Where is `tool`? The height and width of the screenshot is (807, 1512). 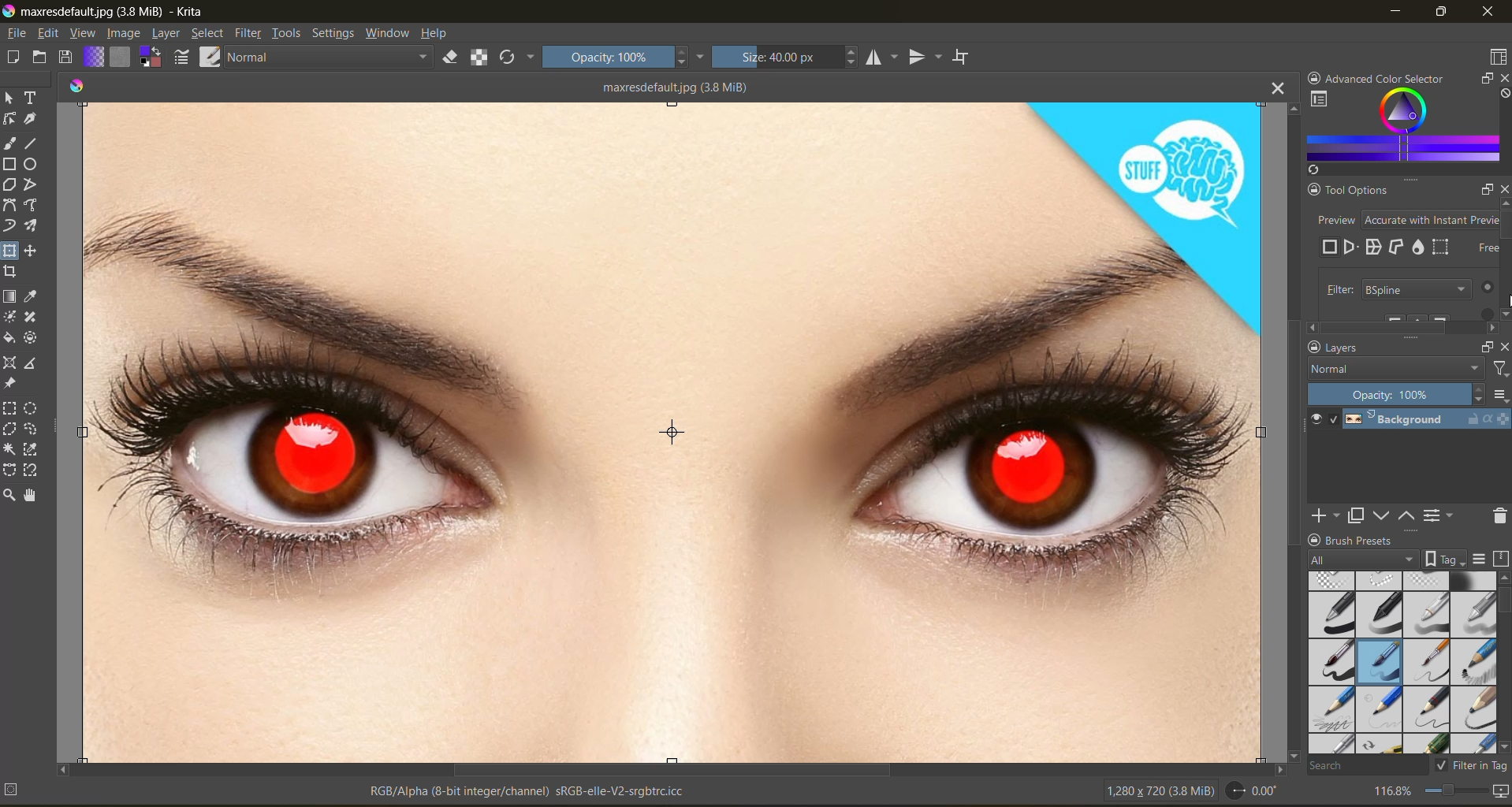 tool is located at coordinates (36, 295).